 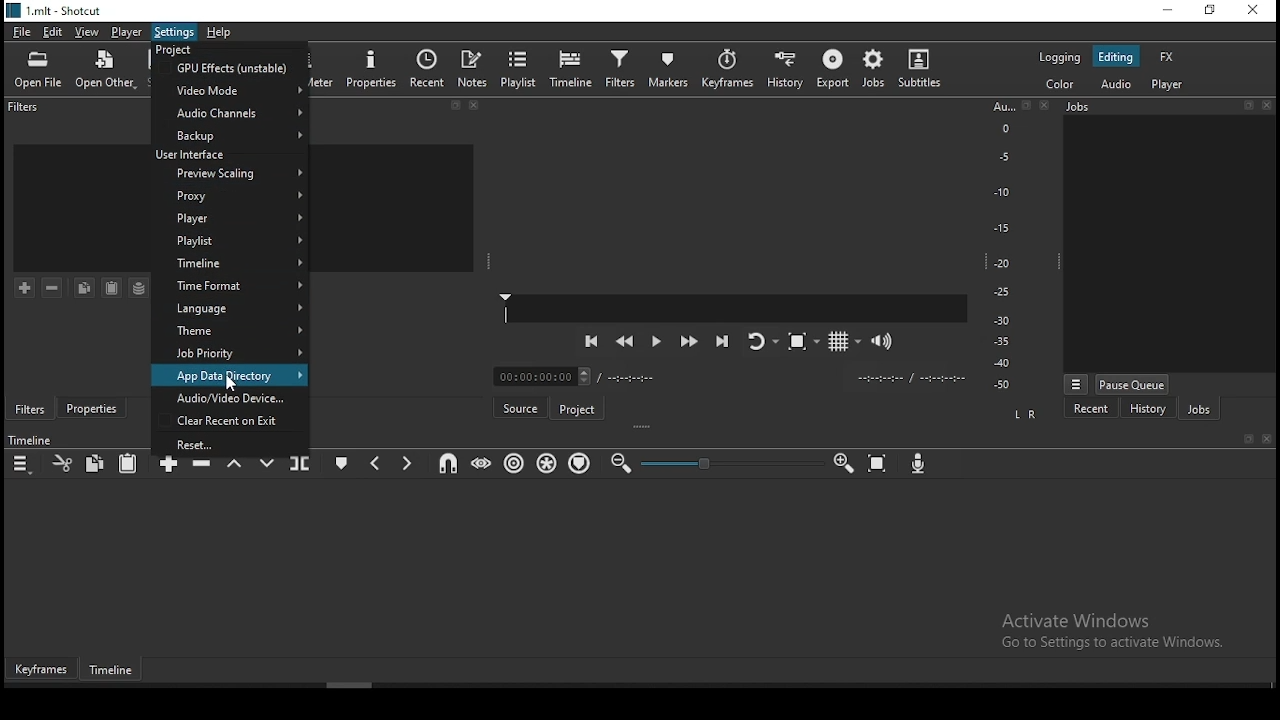 I want to click on player, so click(x=124, y=33).